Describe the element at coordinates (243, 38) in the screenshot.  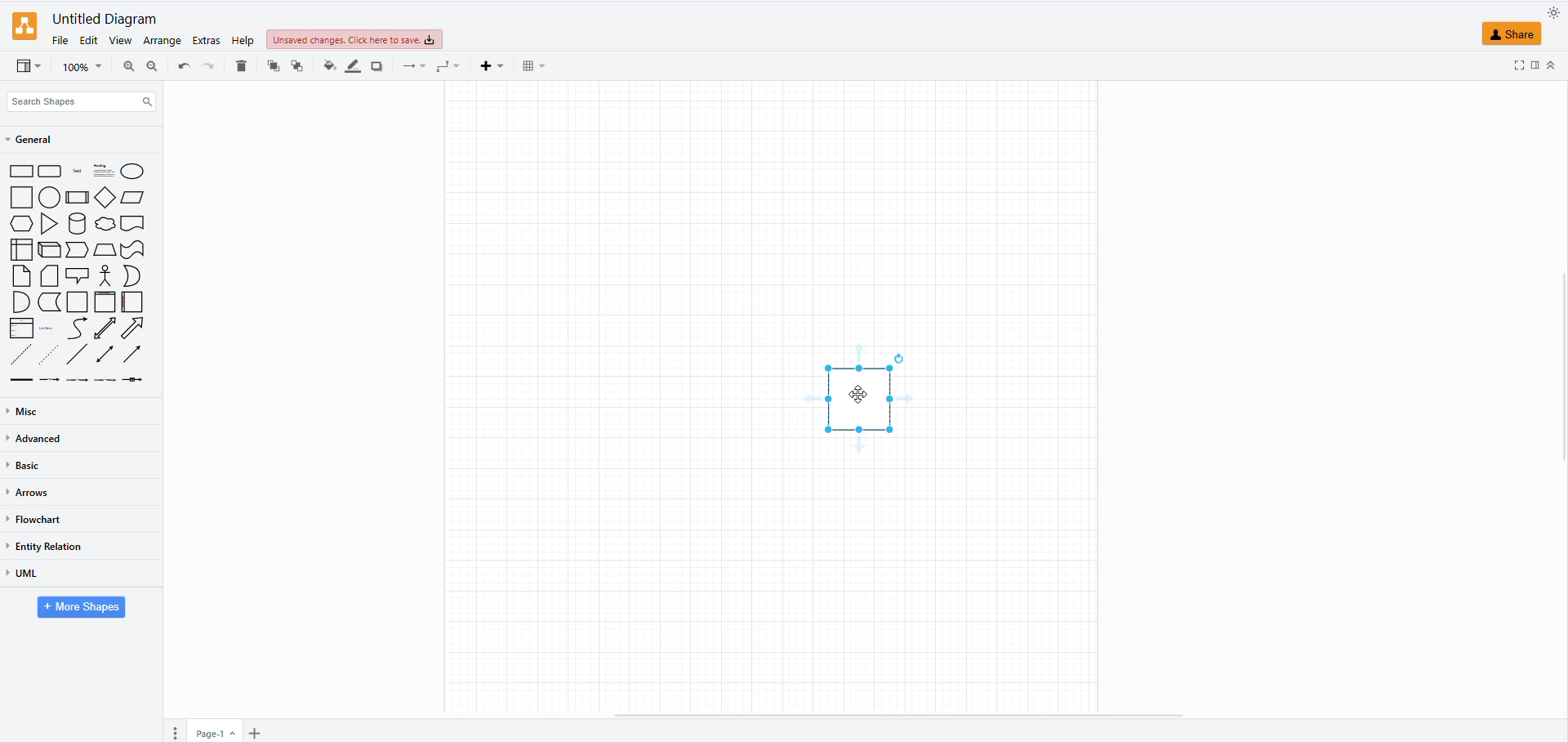
I see `help` at that location.